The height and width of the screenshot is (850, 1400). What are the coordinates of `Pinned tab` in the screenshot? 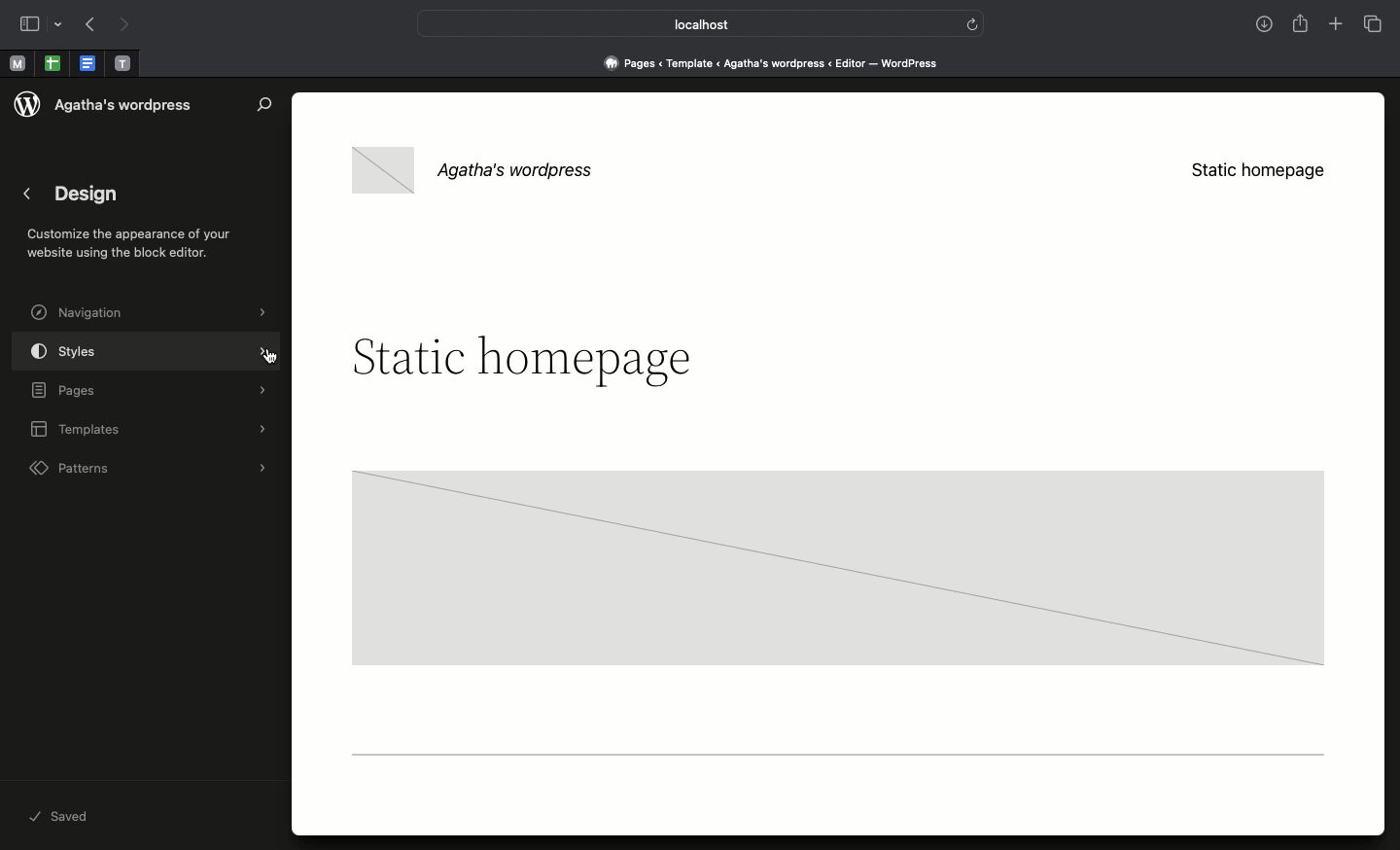 It's located at (52, 64).